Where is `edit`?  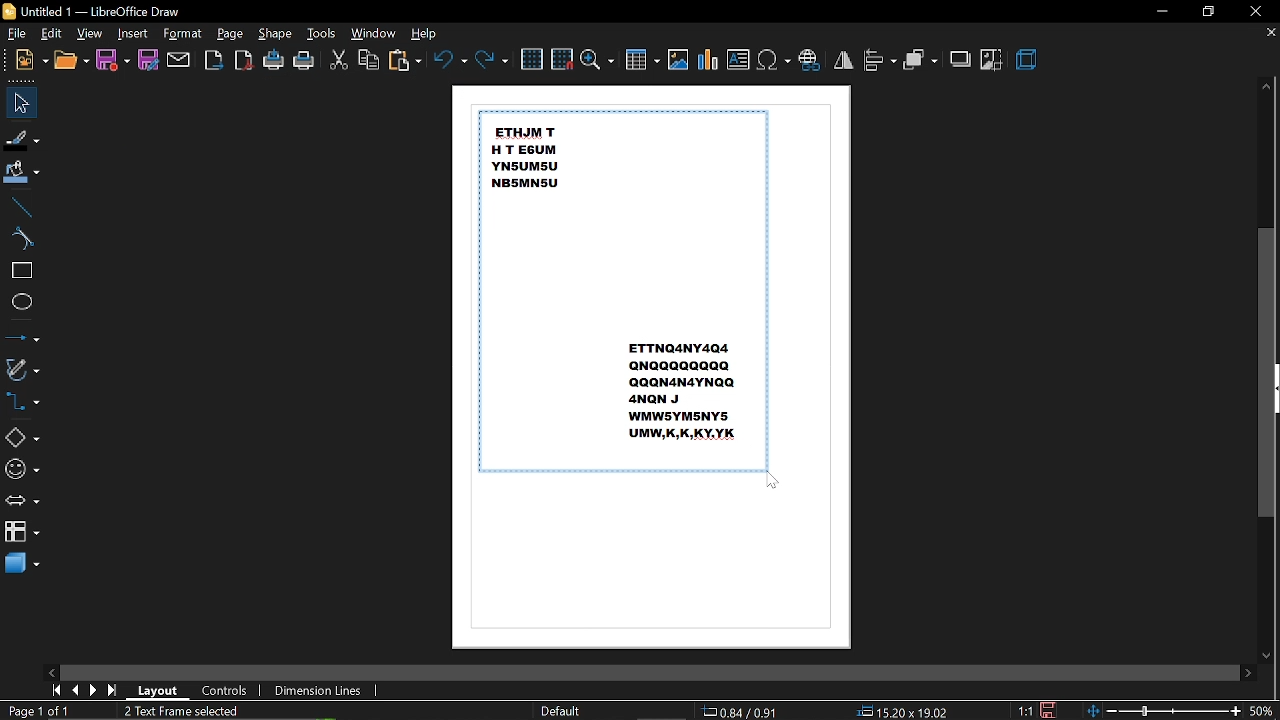 edit is located at coordinates (53, 34).